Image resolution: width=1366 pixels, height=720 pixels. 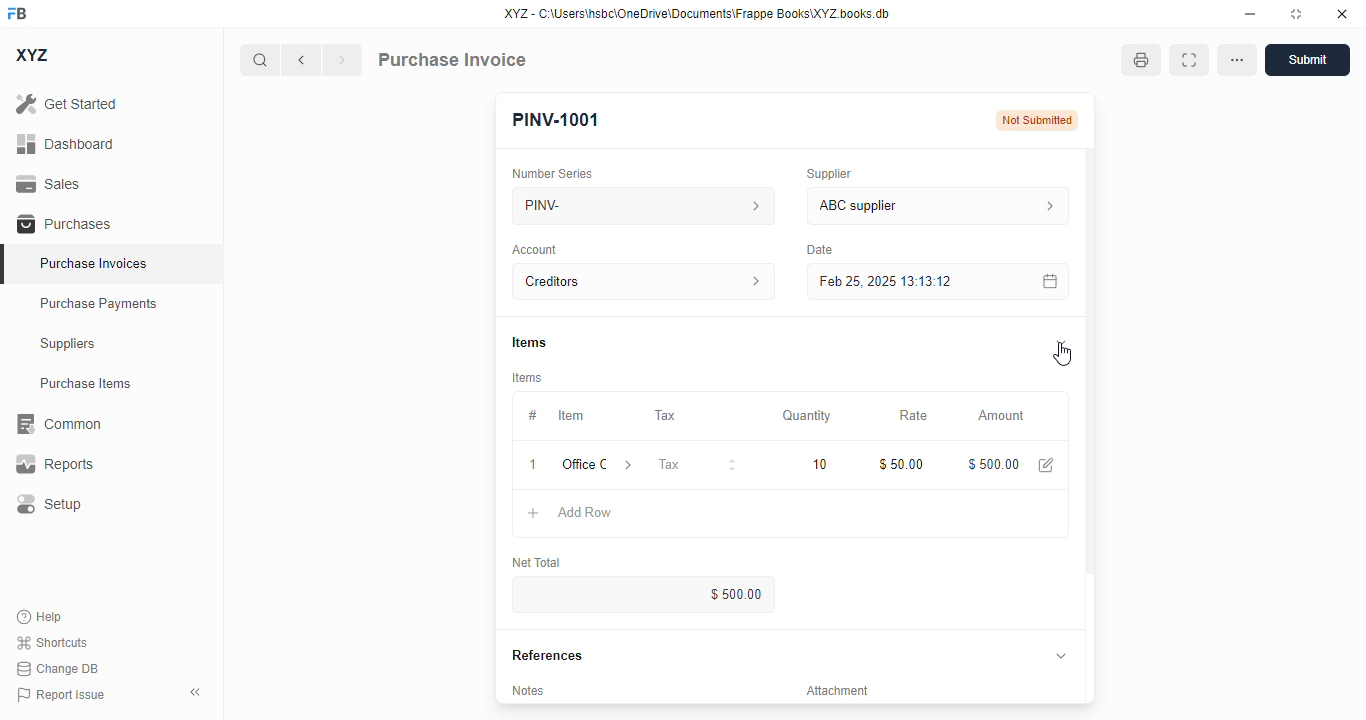 I want to click on rate, so click(x=913, y=416).